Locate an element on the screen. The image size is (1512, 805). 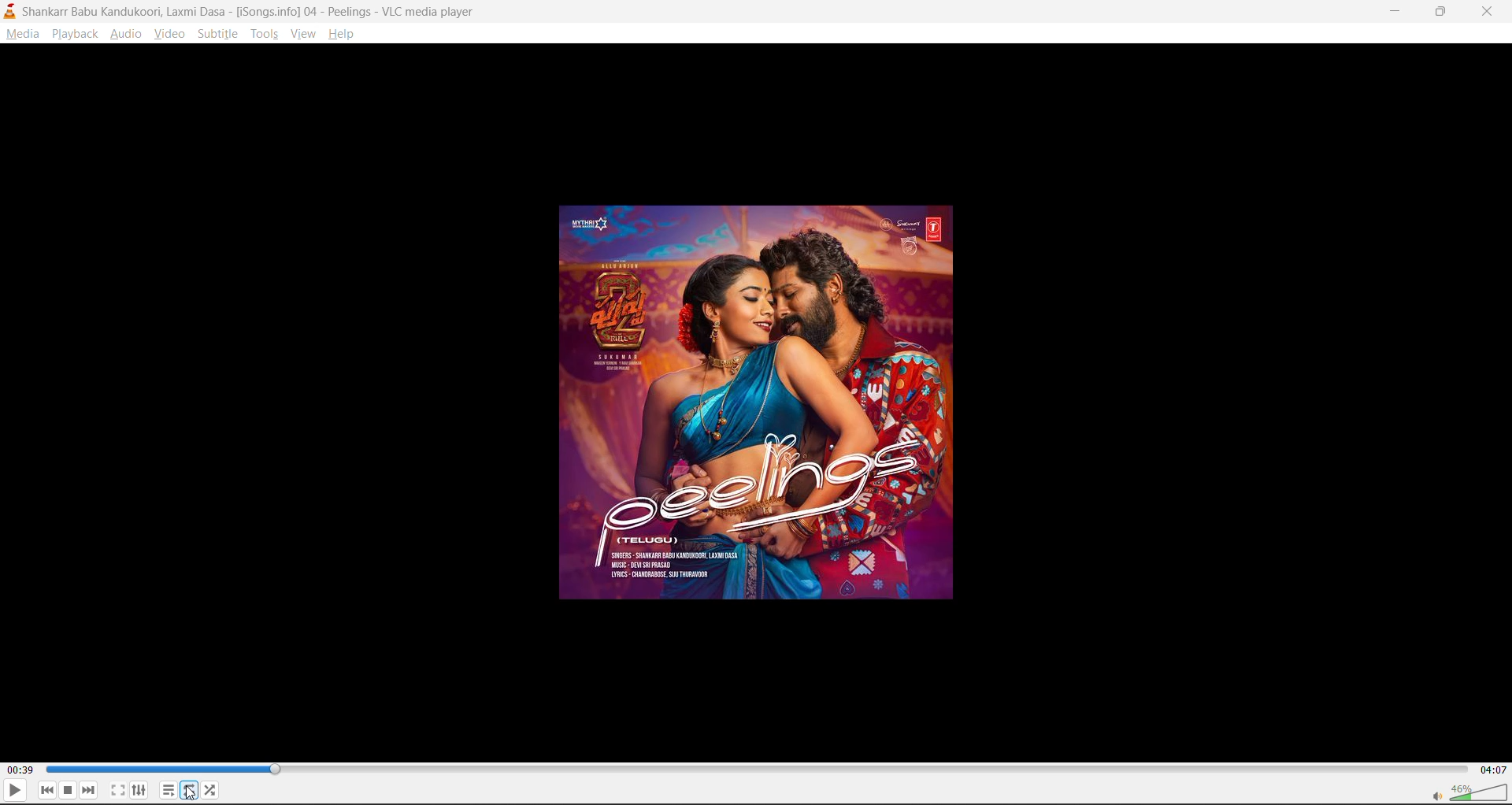
00:39 is located at coordinates (20, 770).